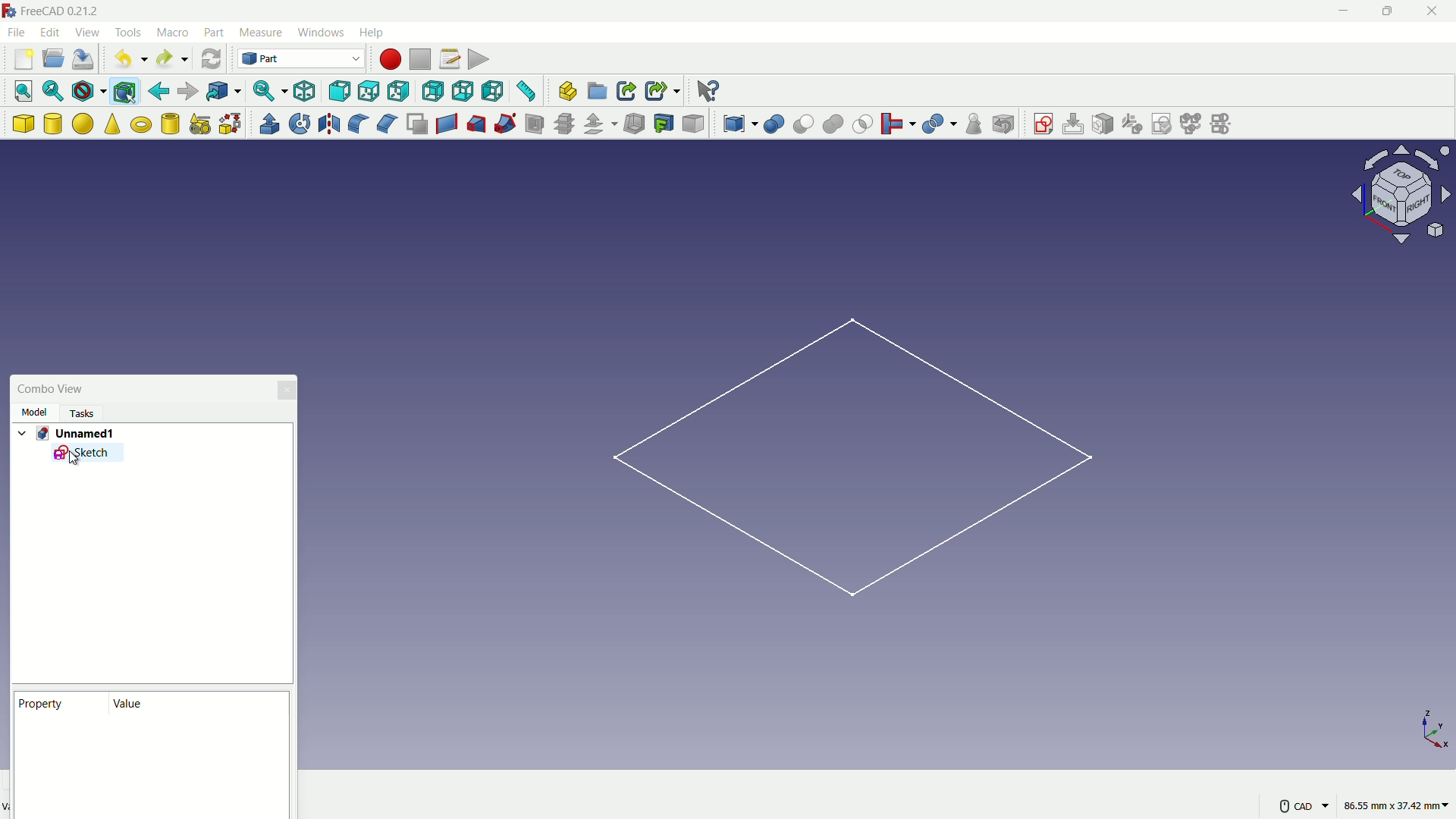 The image size is (1456, 819). What do you see at coordinates (662, 90) in the screenshot?
I see `create sub link` at bounding box center [662, 90].